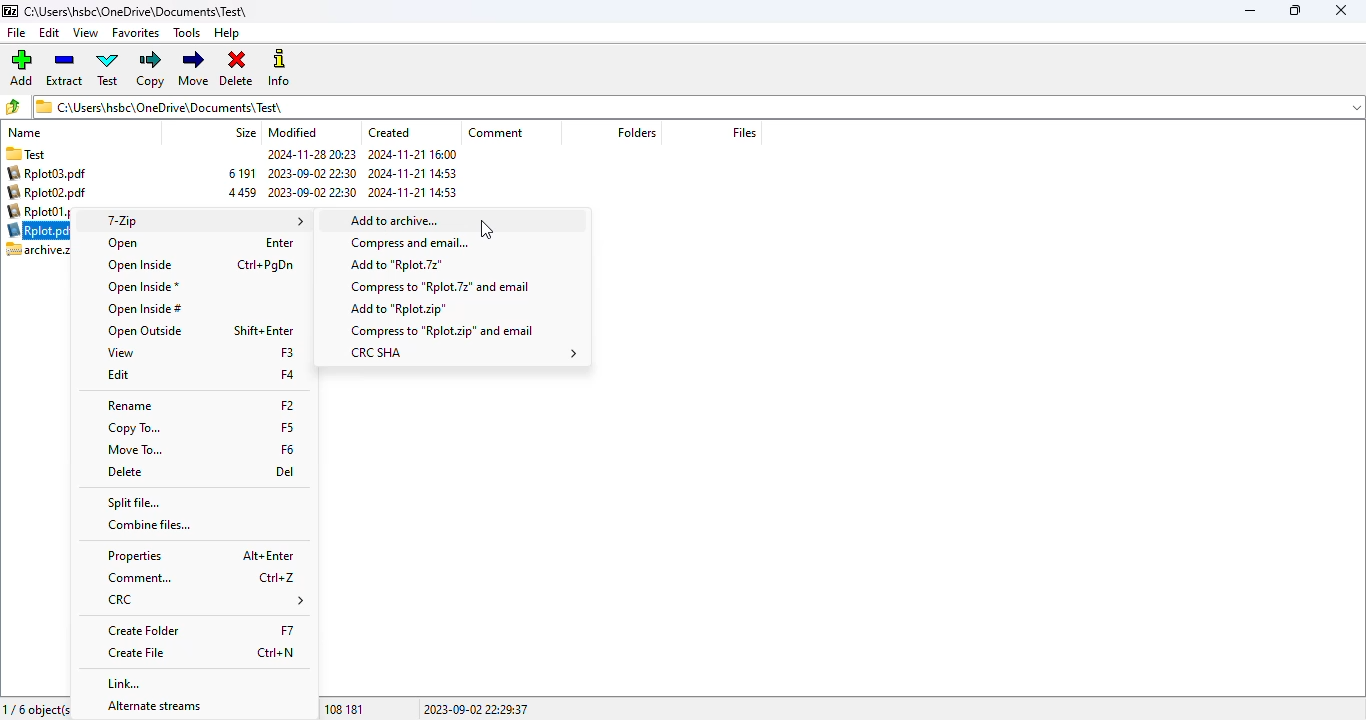  What do you see at coordinates (1343, 11) in the screenshot?
I see `close` at bounding box center [1343, 11].